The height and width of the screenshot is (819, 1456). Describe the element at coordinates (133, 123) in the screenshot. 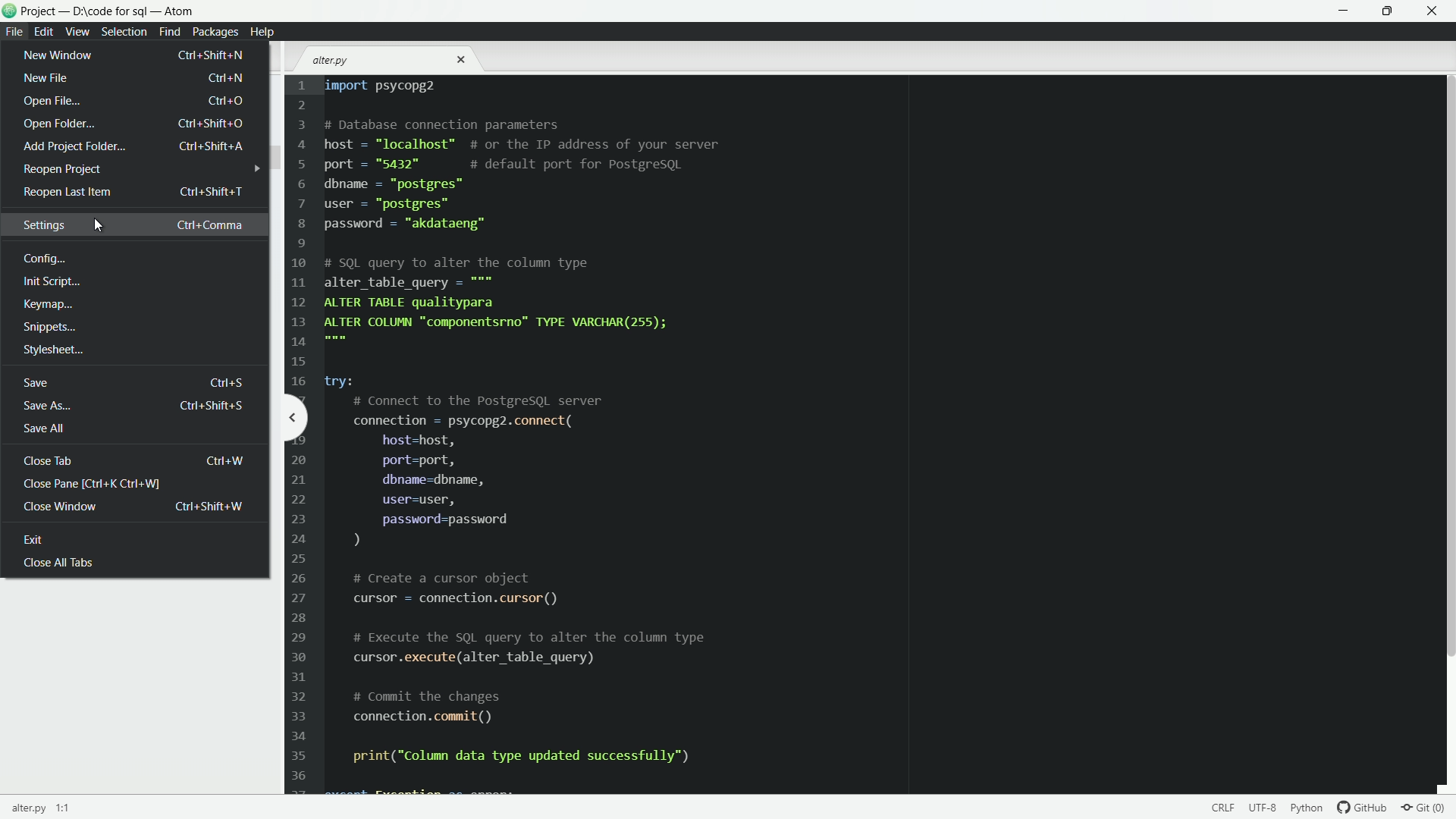

I see `open folder` at that location.